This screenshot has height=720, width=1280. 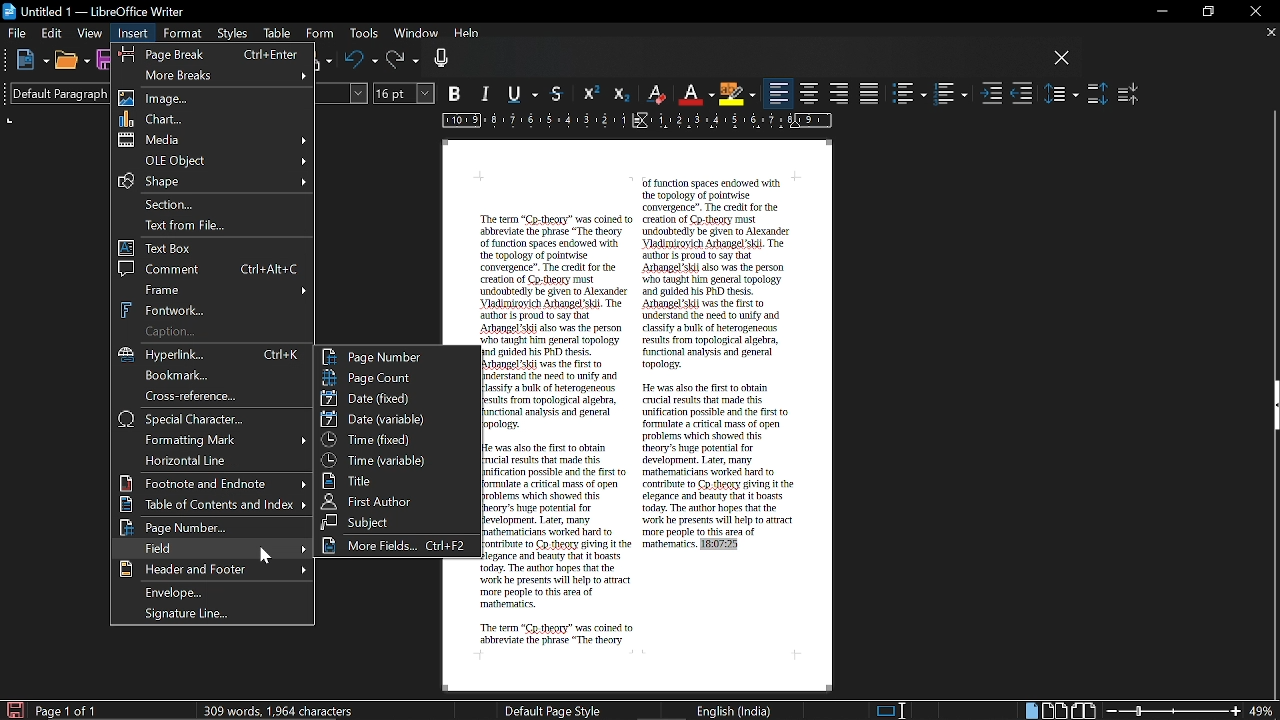 What do you see at coordinates (1263, 711) in the screenshot?
I see `Current zoom` at bounding box center [1263, 711].